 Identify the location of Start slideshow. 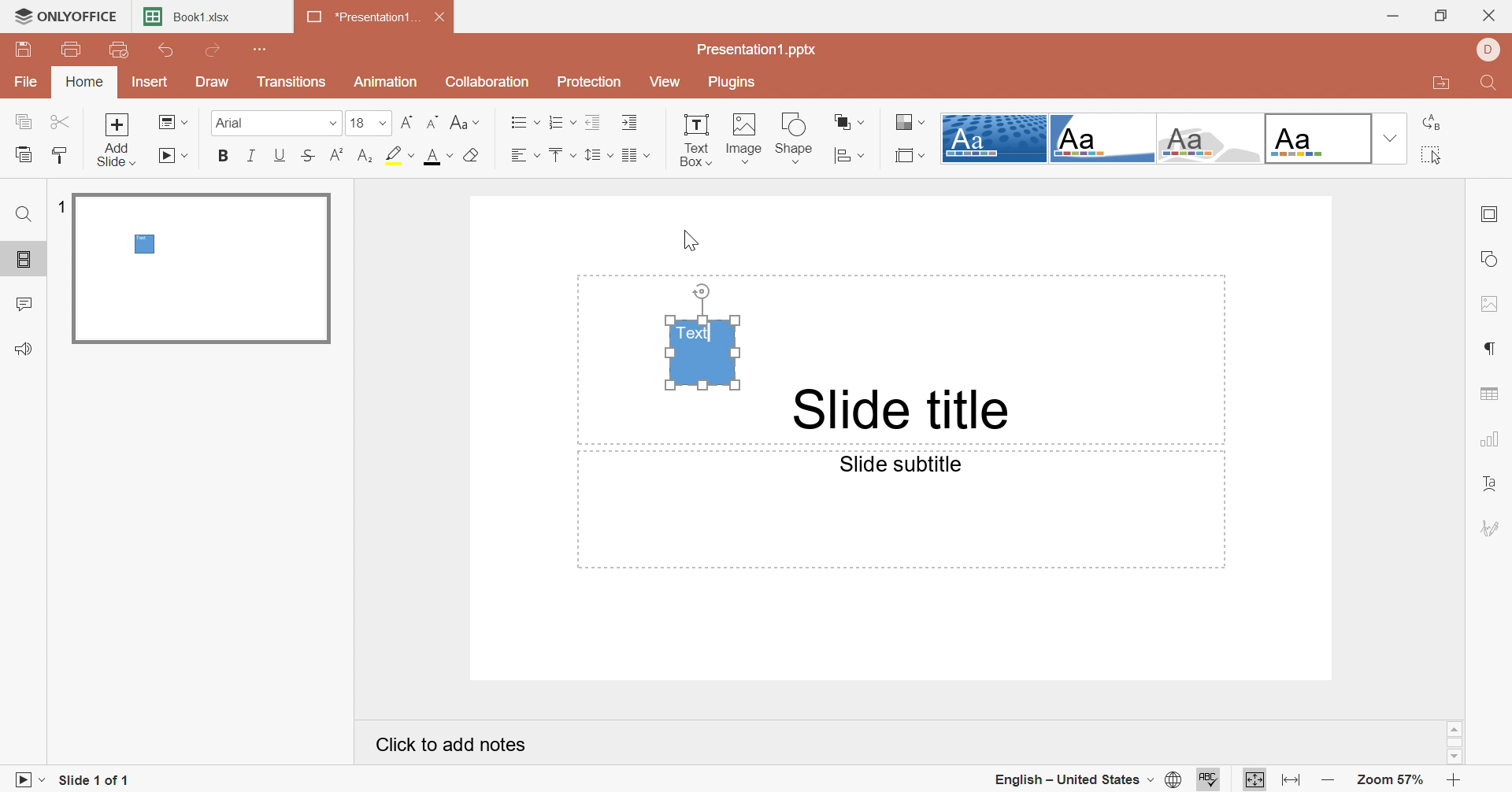
(25, 779).